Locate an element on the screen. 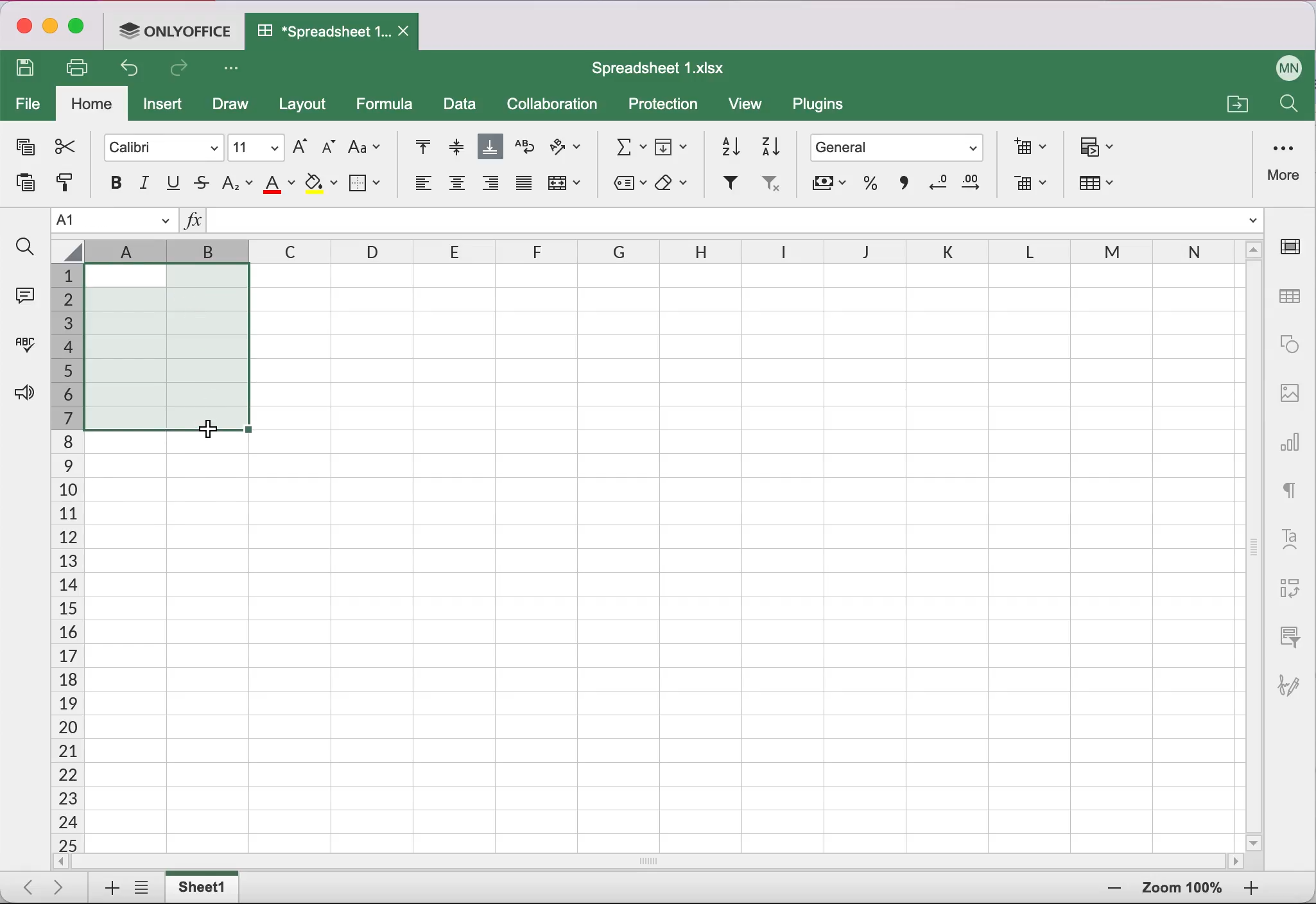 This screenshot has width=1316, height=904. comments is located at coordinates (23, 293).